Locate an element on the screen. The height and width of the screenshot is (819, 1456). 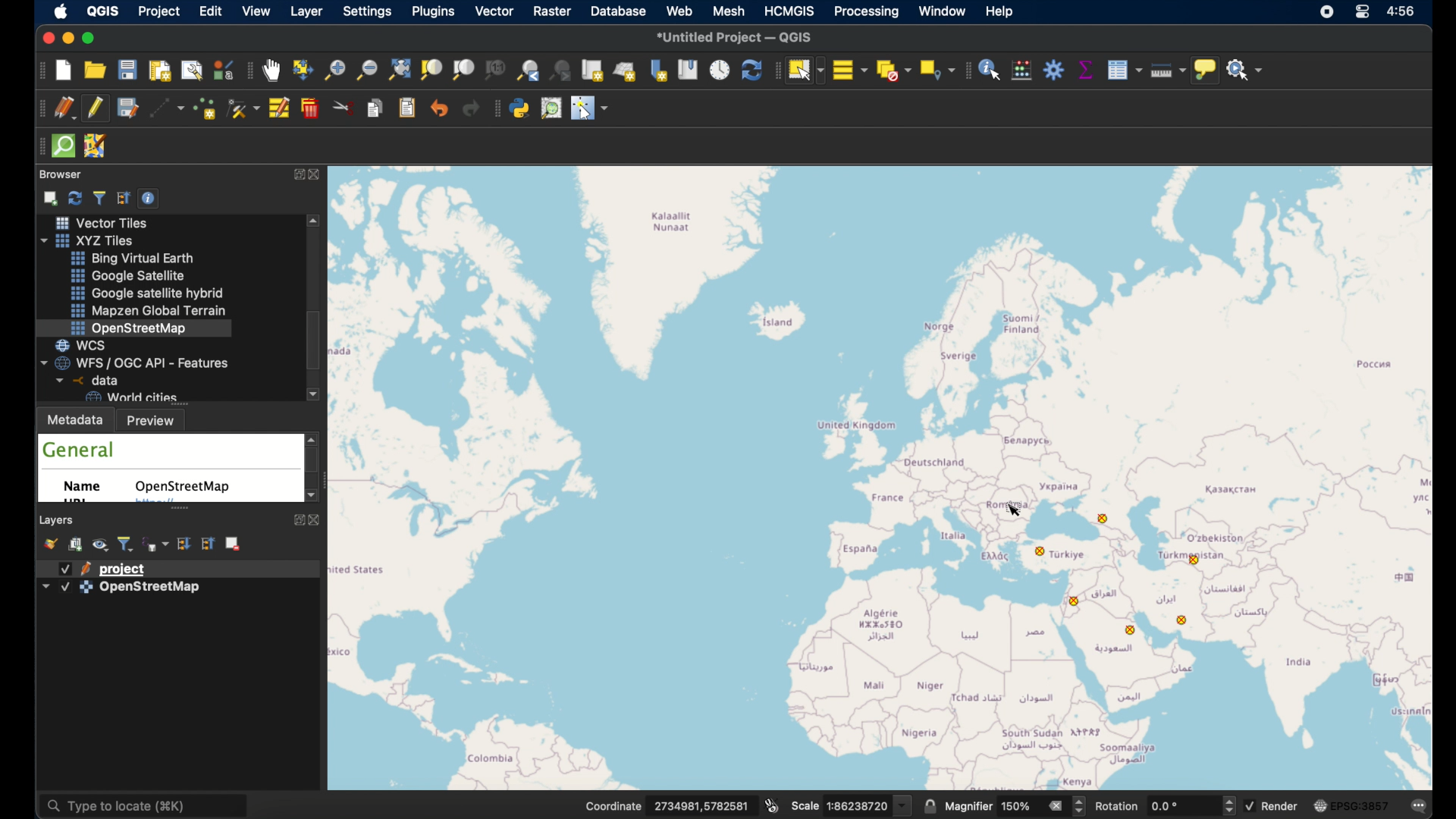
deselect features from all layers is located at coordinates (893, 71).